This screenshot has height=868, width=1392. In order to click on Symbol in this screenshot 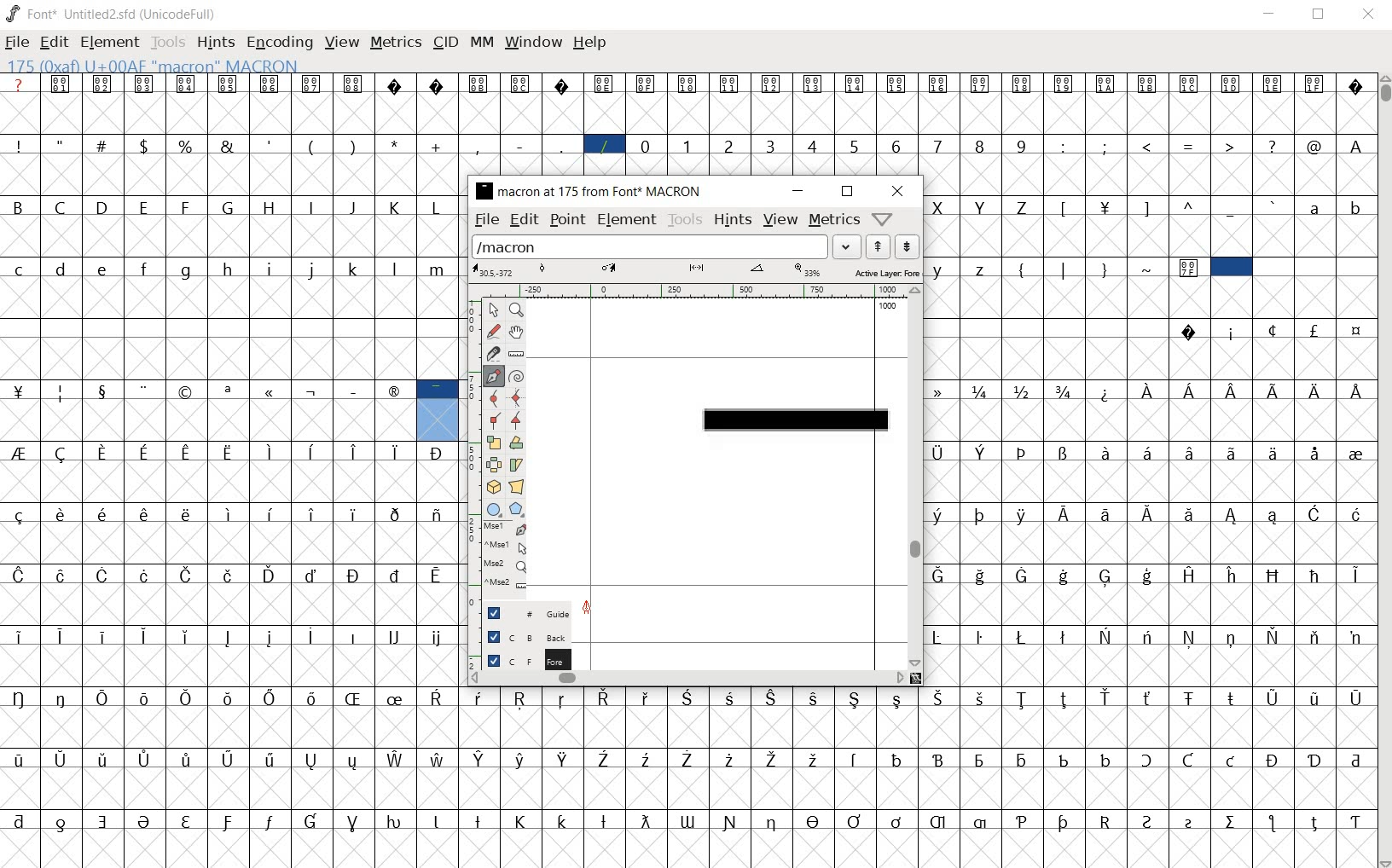, I will do `click(436, 85)`.